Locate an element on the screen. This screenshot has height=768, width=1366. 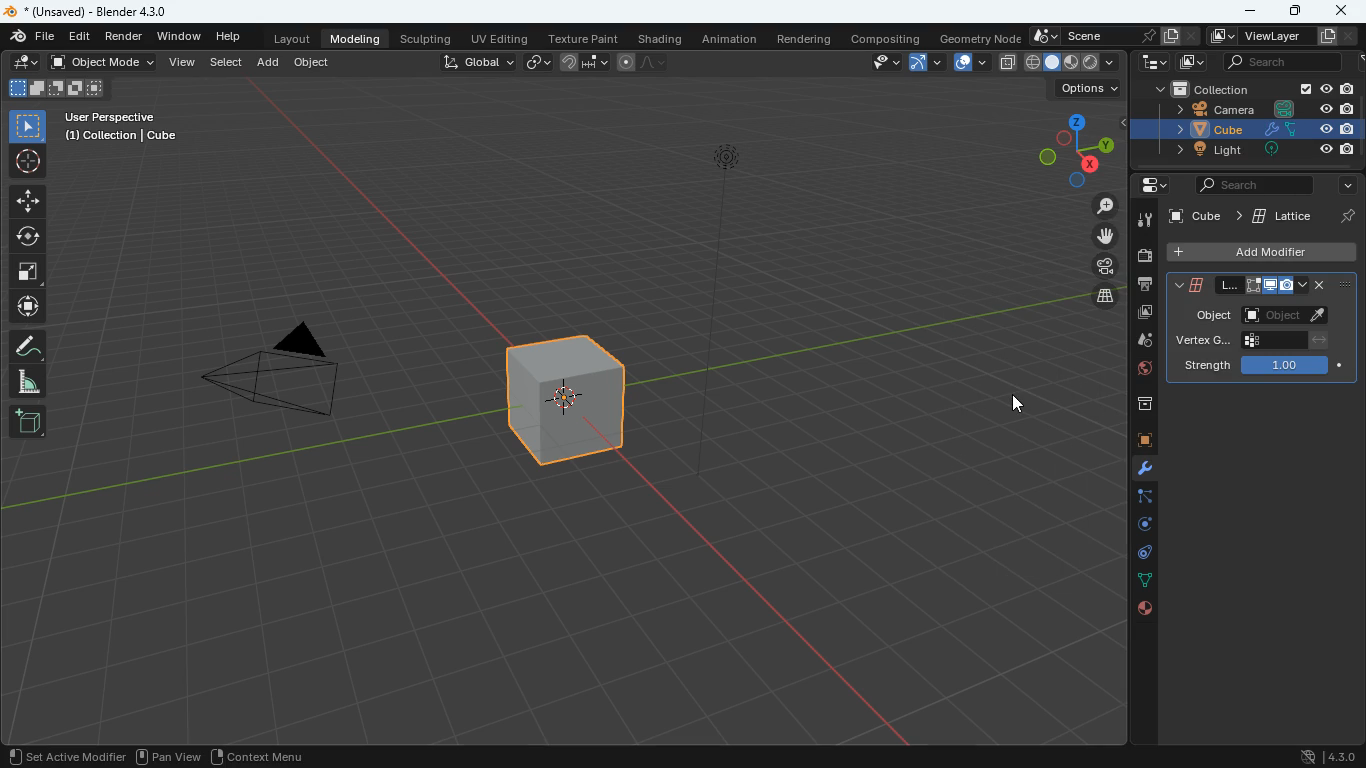
movie is located at coordinates (1107, 267).